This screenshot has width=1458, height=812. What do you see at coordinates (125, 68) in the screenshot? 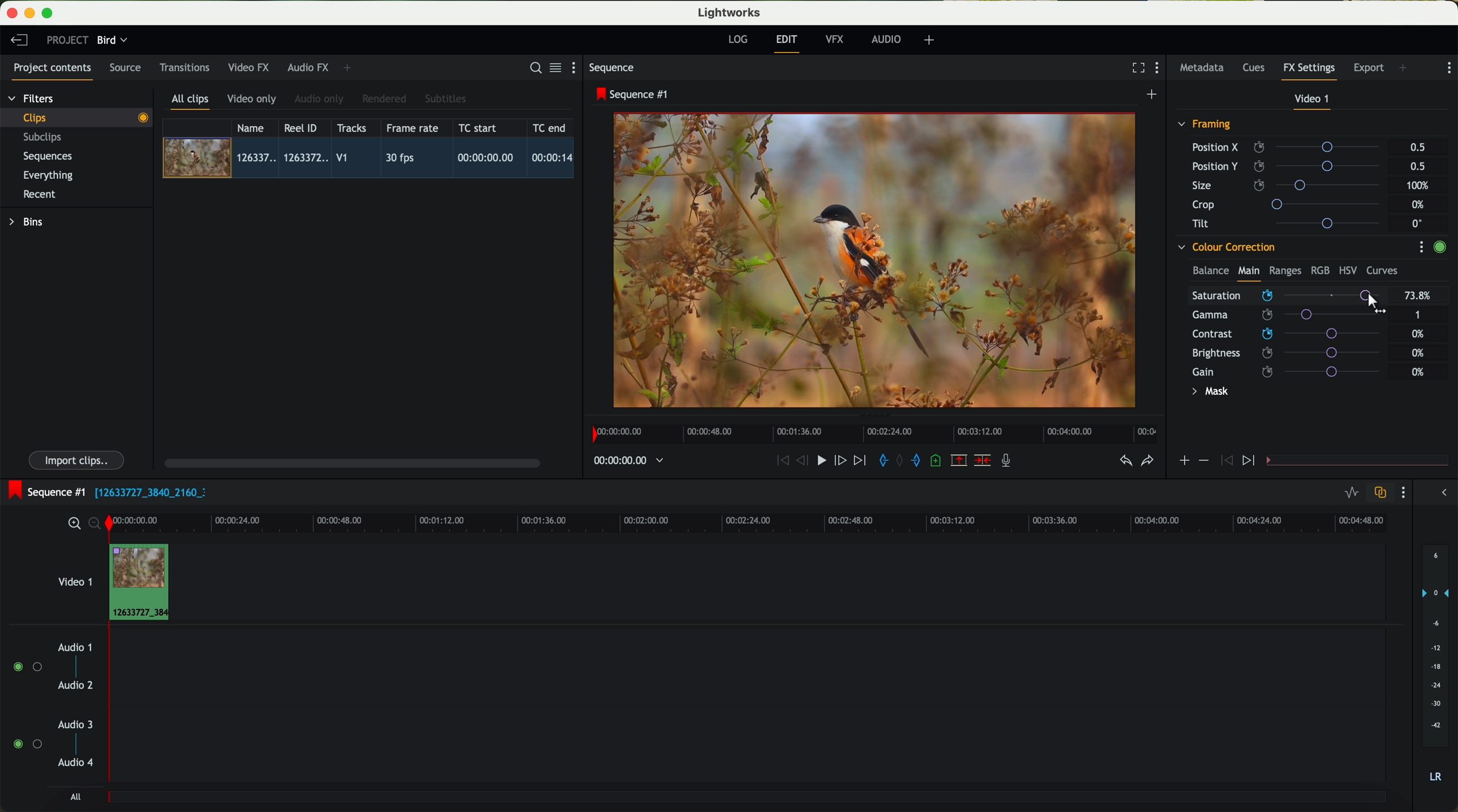
I see `source` at bounding box center [125, 68].